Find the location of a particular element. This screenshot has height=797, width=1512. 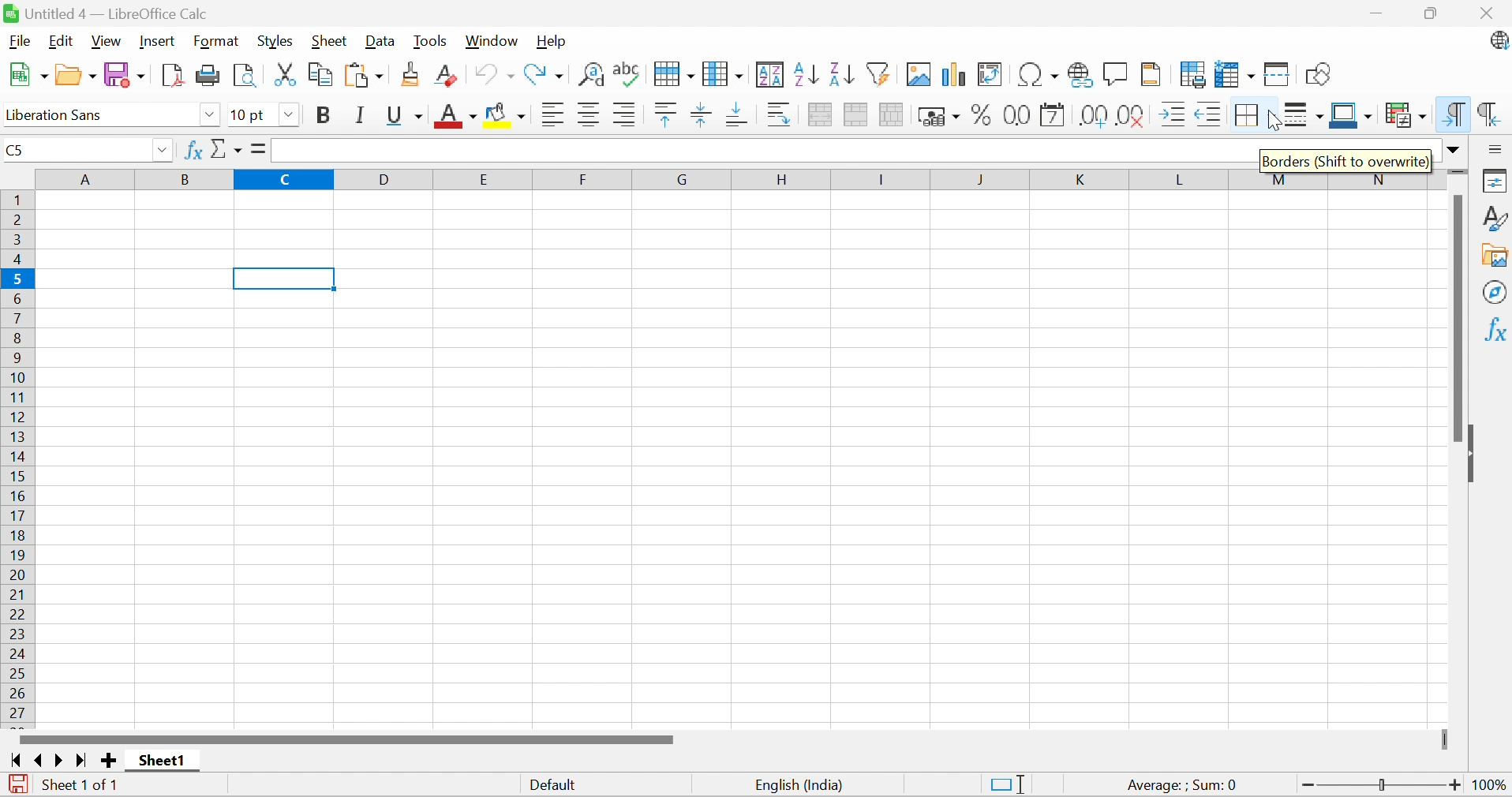

Open is located at coordinates (76, 75).